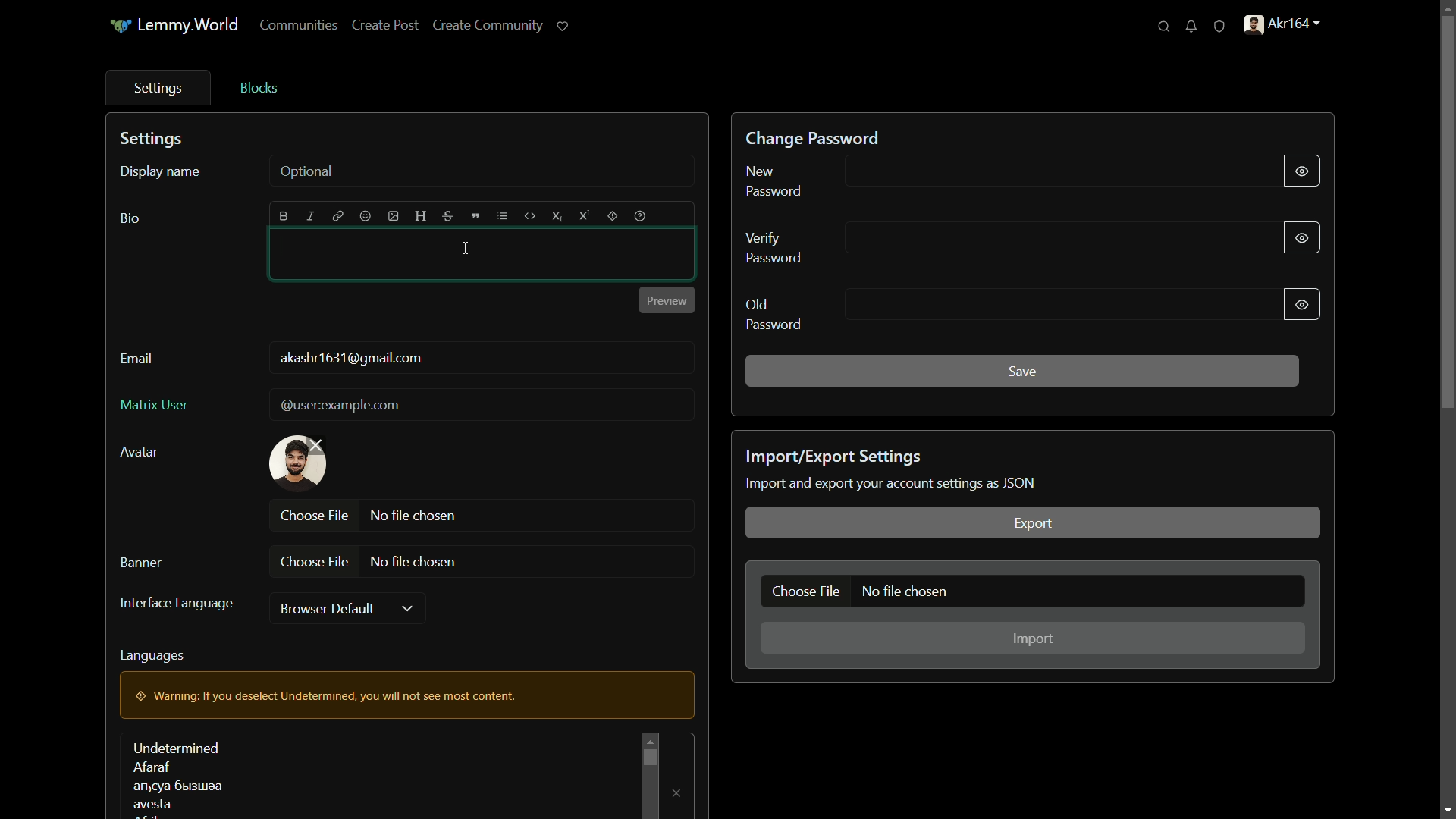 The width and height of the screenshot is (1456, 819). What do you see at coordinates (315, 562) in the screenshot?
I see `choose file` at bounding box center [315, 562].